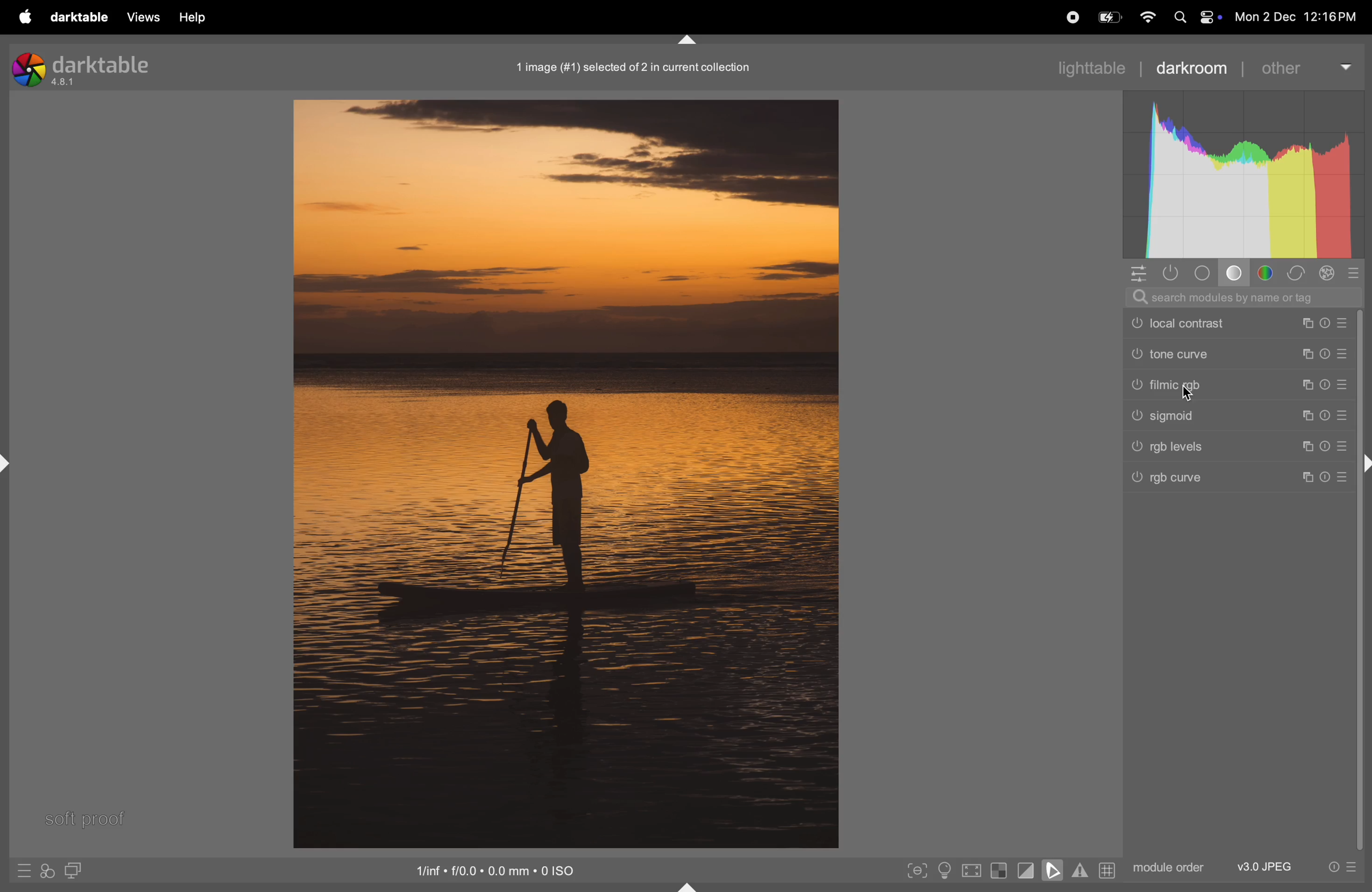 The height and width of the screenshot is (892, 1372). Describe the element at coordinates (1237, 275) in the screenshot. I see `base` at that location.